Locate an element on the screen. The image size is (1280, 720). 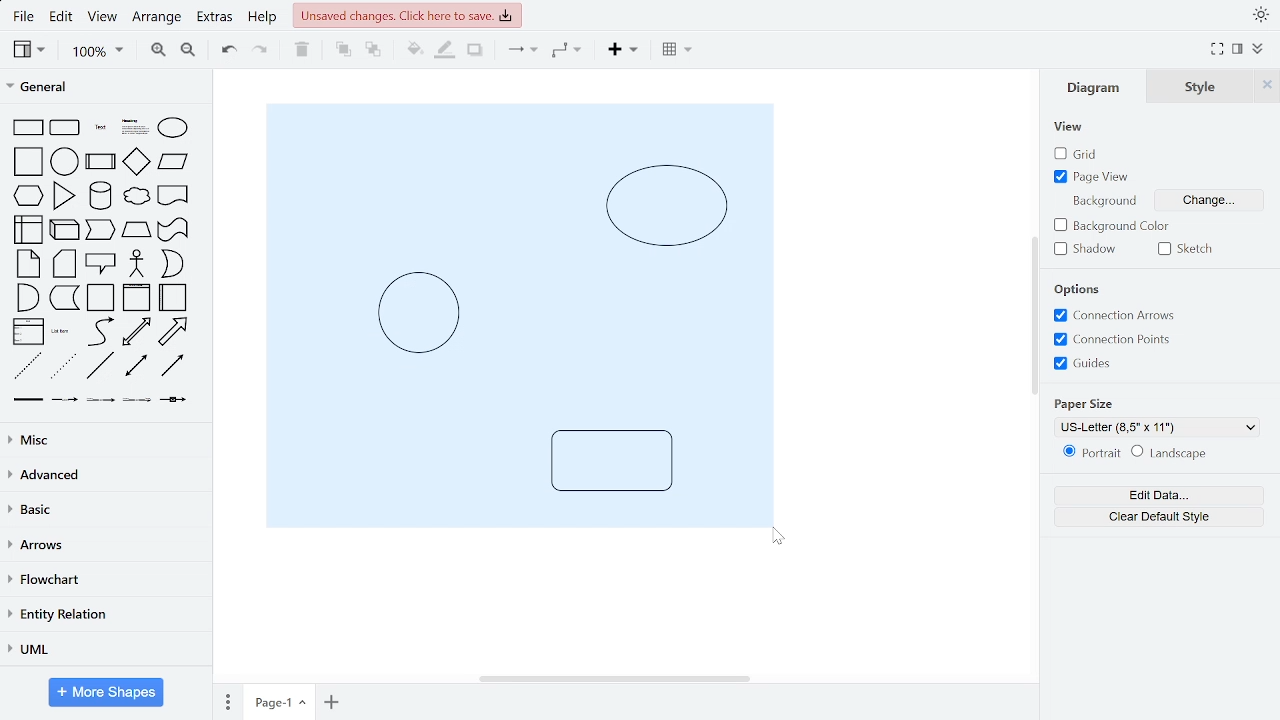
internal storage is located at coordinates (31, 229).